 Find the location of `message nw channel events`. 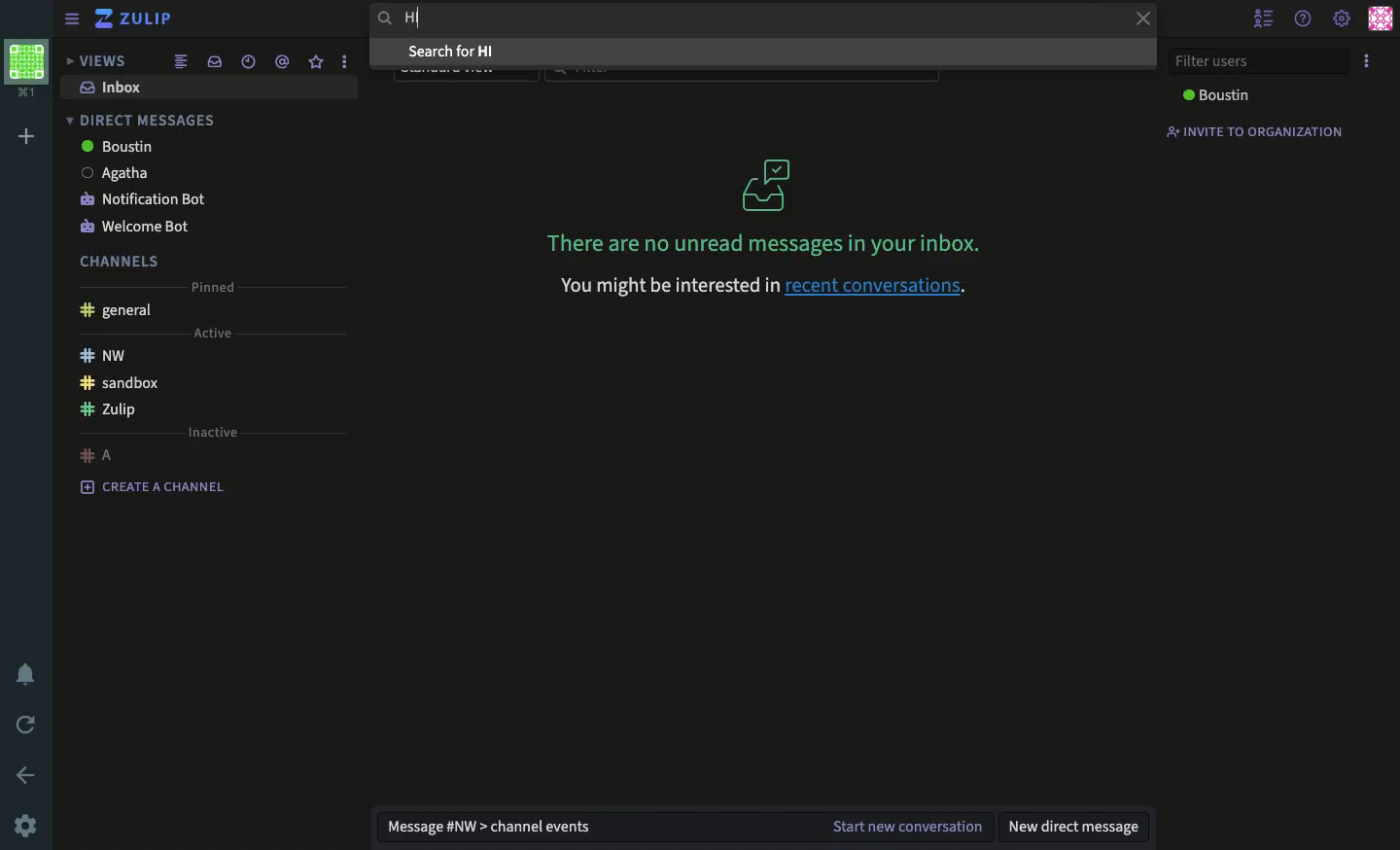

message nw channel events is located at coordinates (497, 827).